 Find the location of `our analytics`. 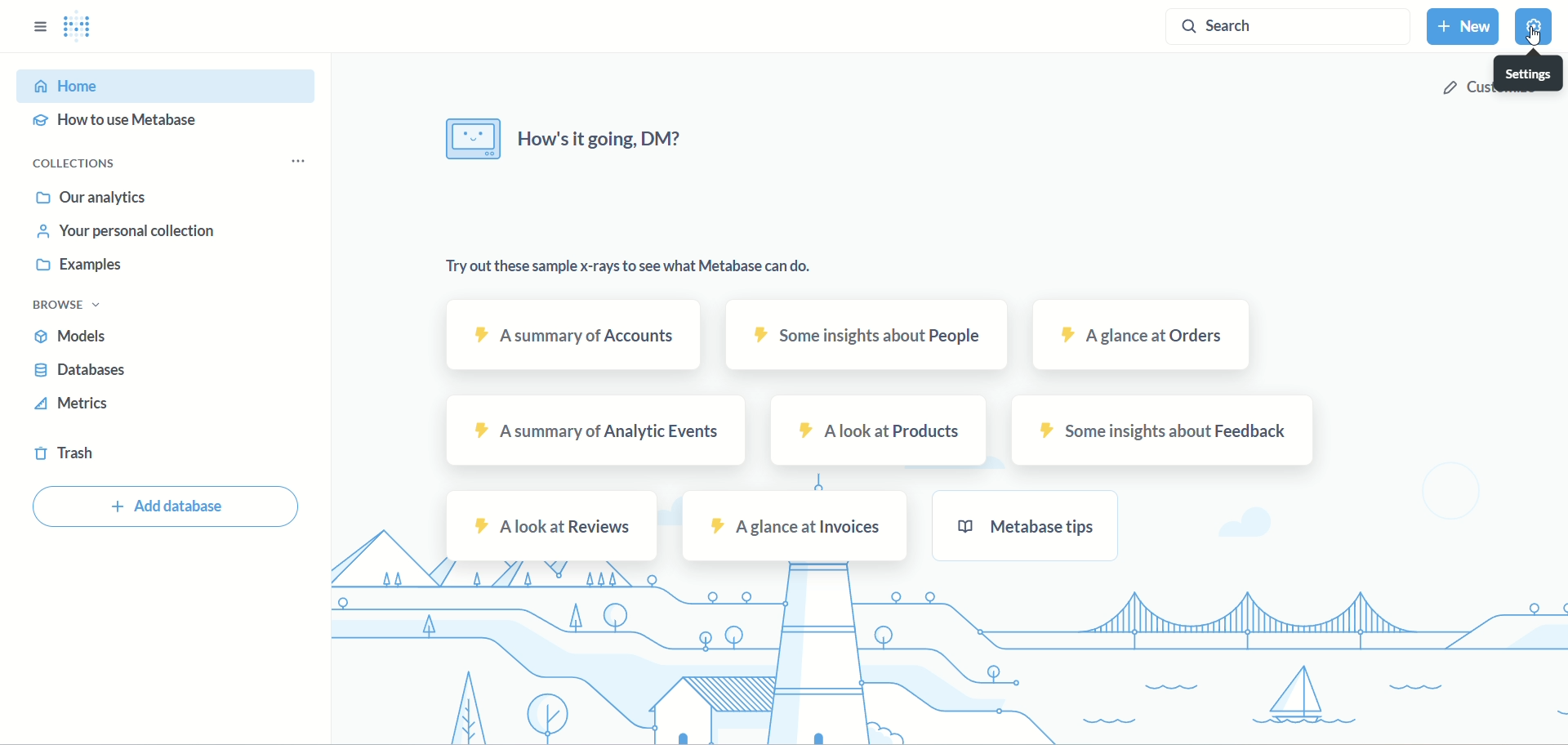

our analytics is located at coordinates (97, 199).